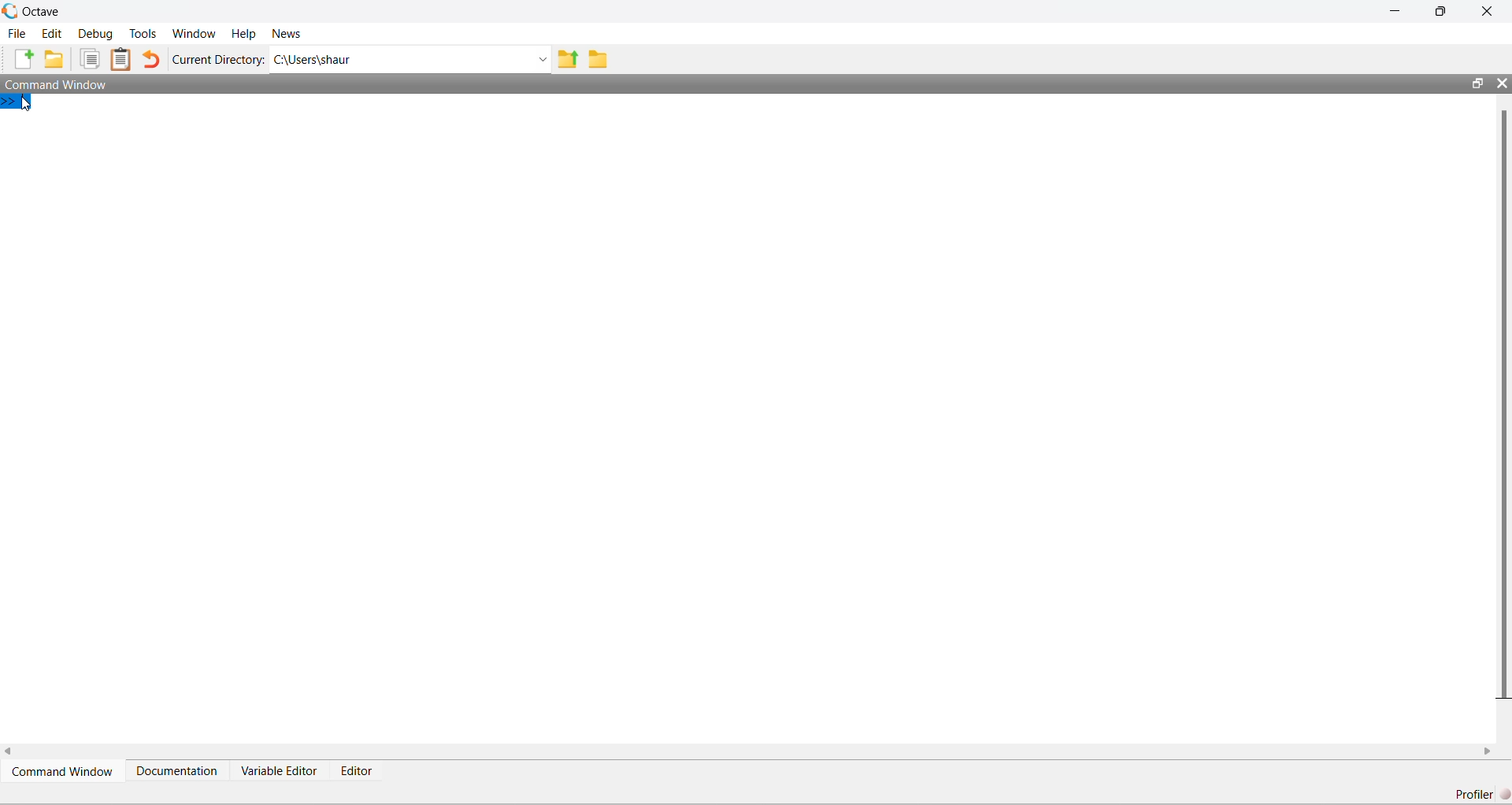 The height and width of the screenshot is (805, 1512). What do you see at coordinates (1504, 406) in the screenshot?
I see `scroll bar` at bounding box center [1504, 406].